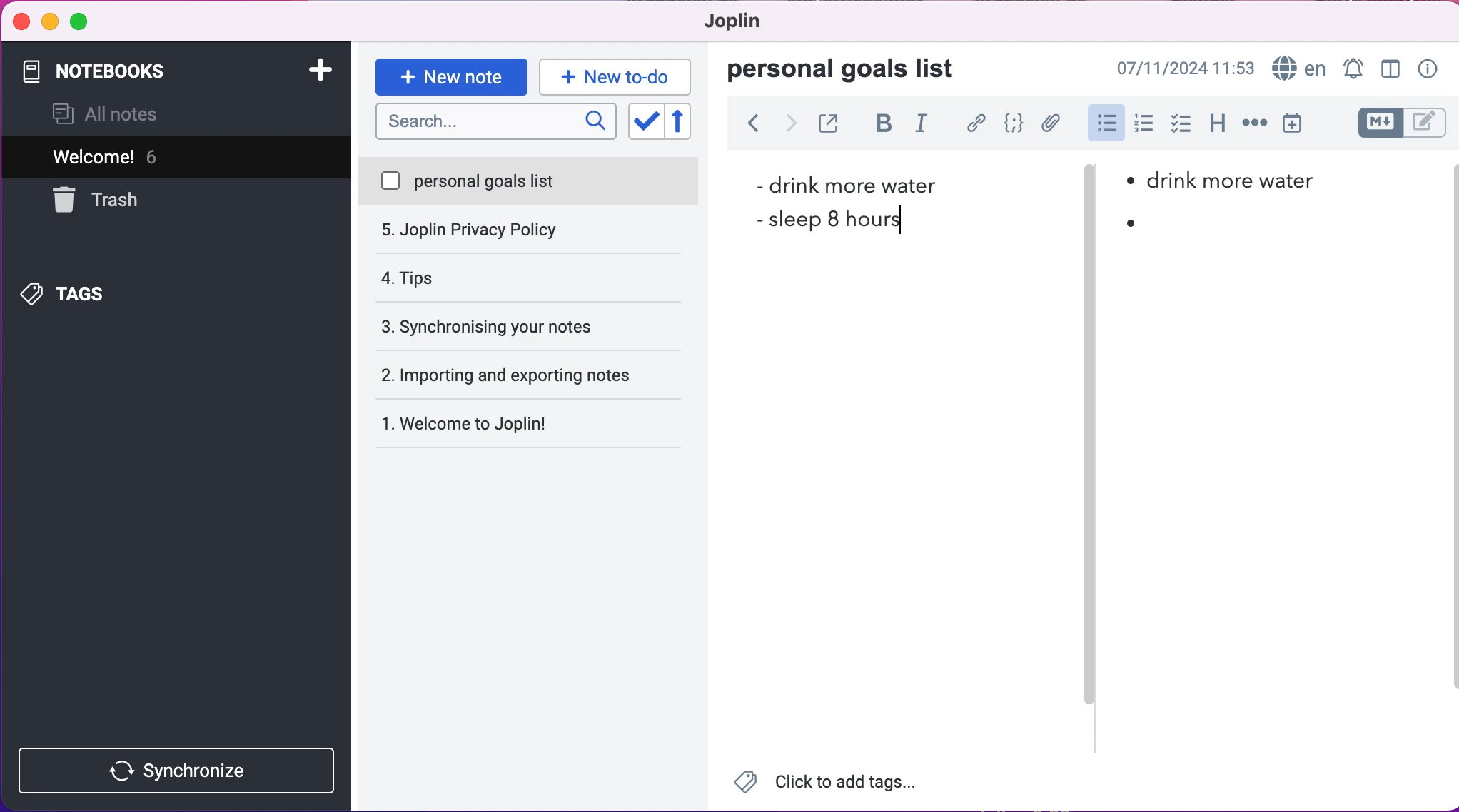 The width and height of the screenshot is (1459, 812). What do you see at coordinates (181, 770) in the screenshot?
I see `synchronize` at bounding box center [181, 770].